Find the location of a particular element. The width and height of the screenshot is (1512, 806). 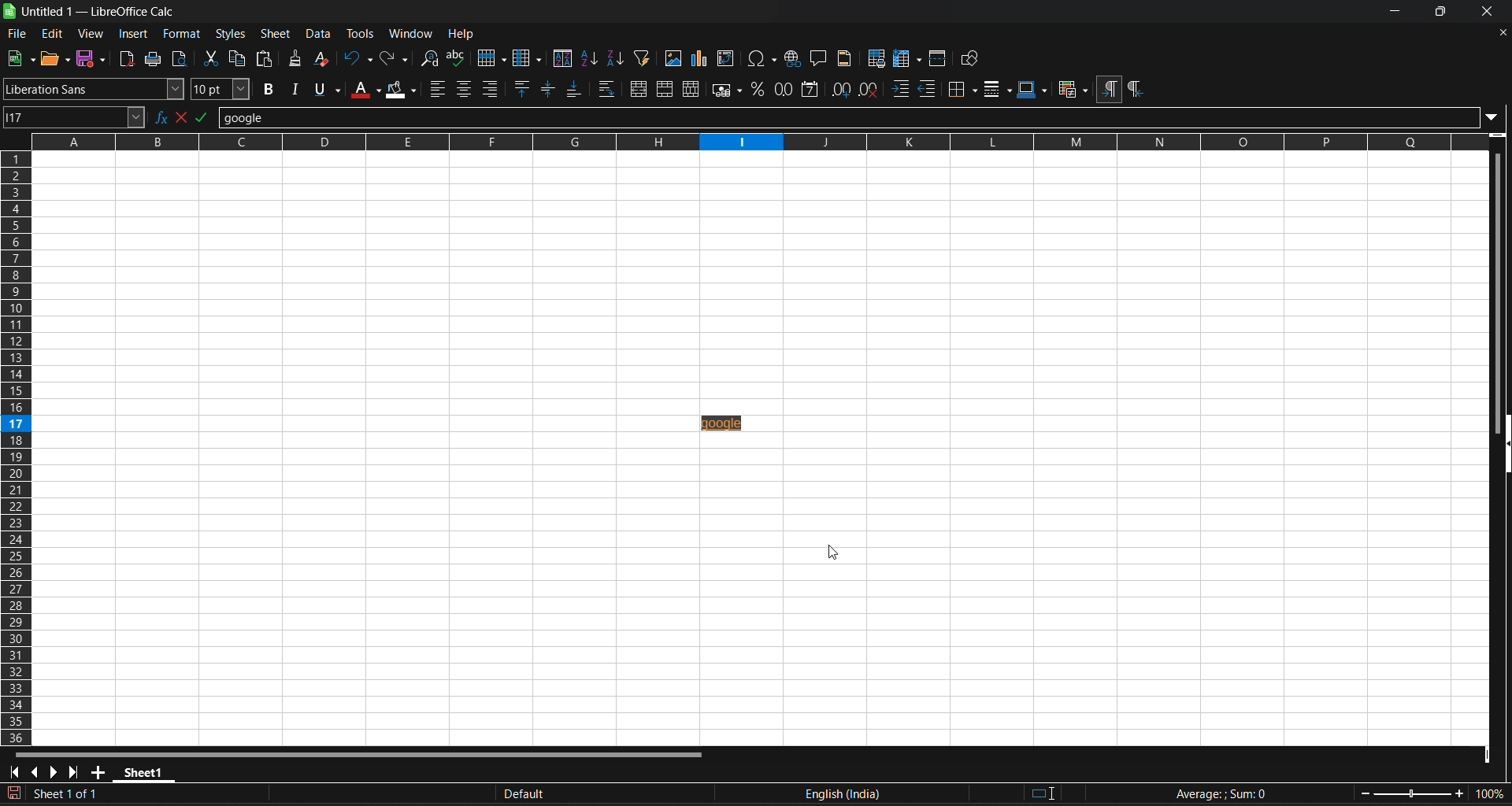

remove decimal place is located at coordinates (870, 90).